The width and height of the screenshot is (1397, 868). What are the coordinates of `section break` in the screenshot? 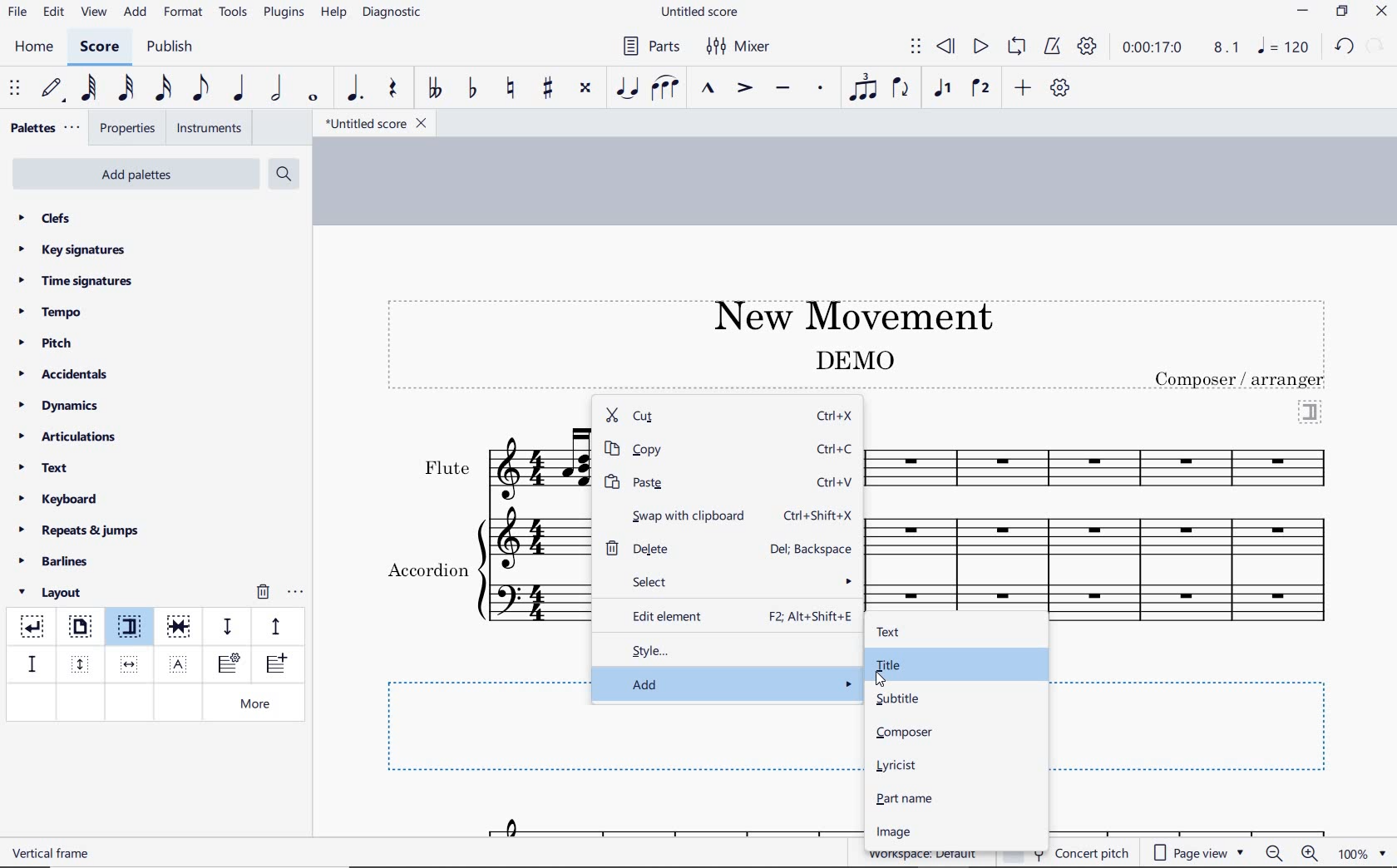 It's located at (133, 629).